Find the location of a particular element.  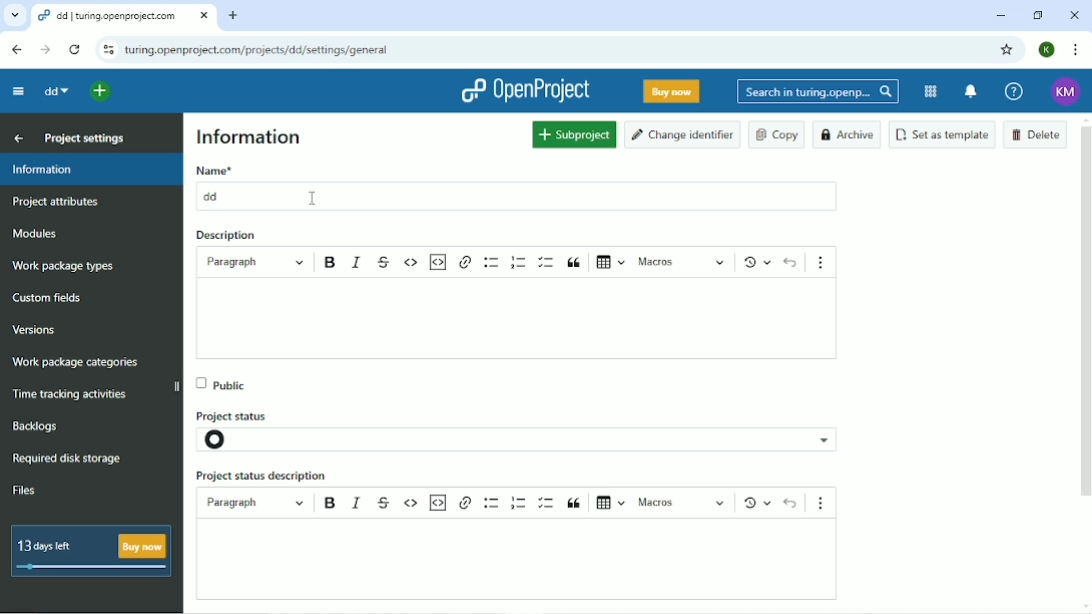

Time racking activities is located at coordinates (72, 395).